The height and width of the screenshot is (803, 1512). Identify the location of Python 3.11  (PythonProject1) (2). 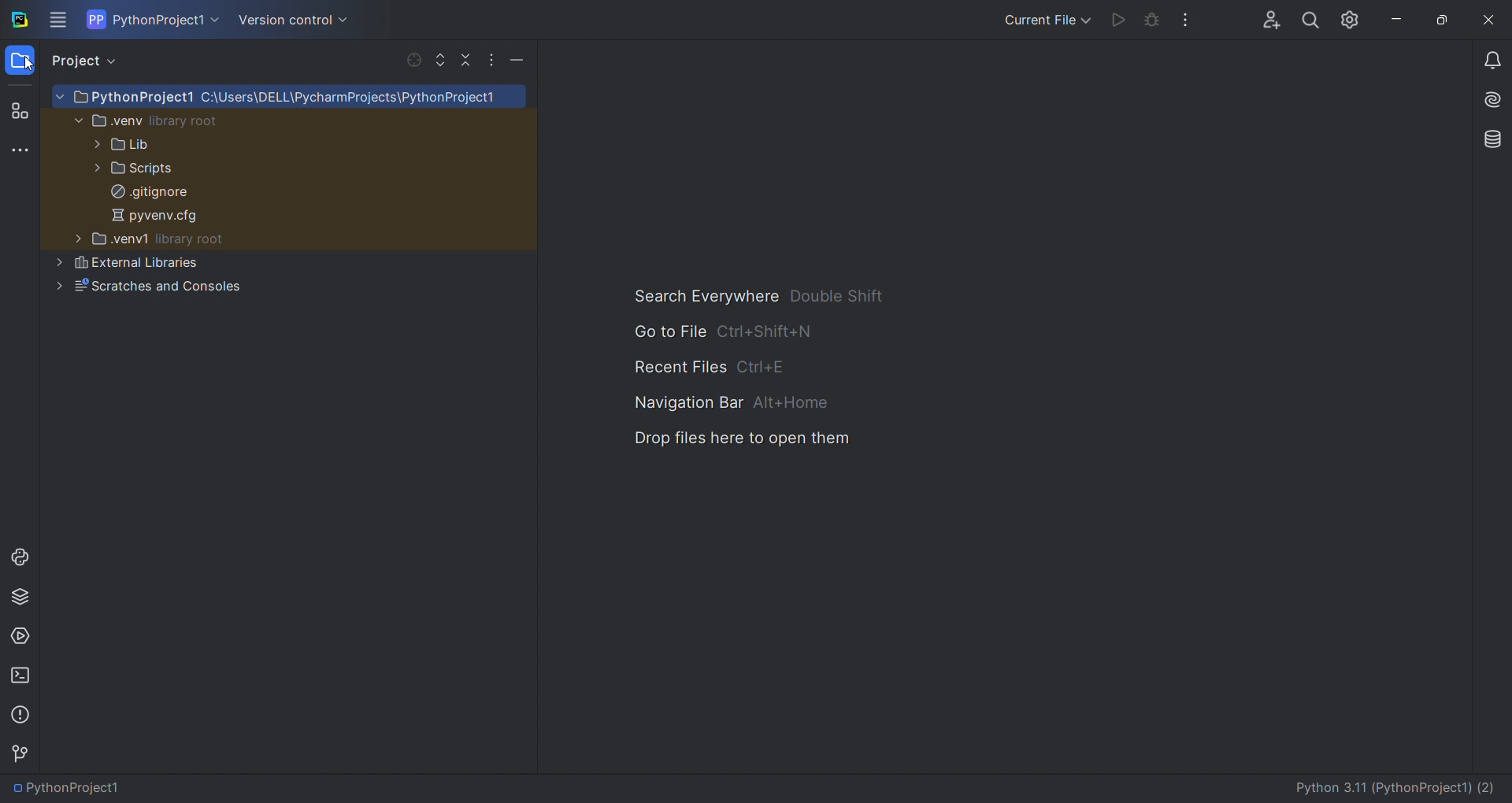
(1388, 787).